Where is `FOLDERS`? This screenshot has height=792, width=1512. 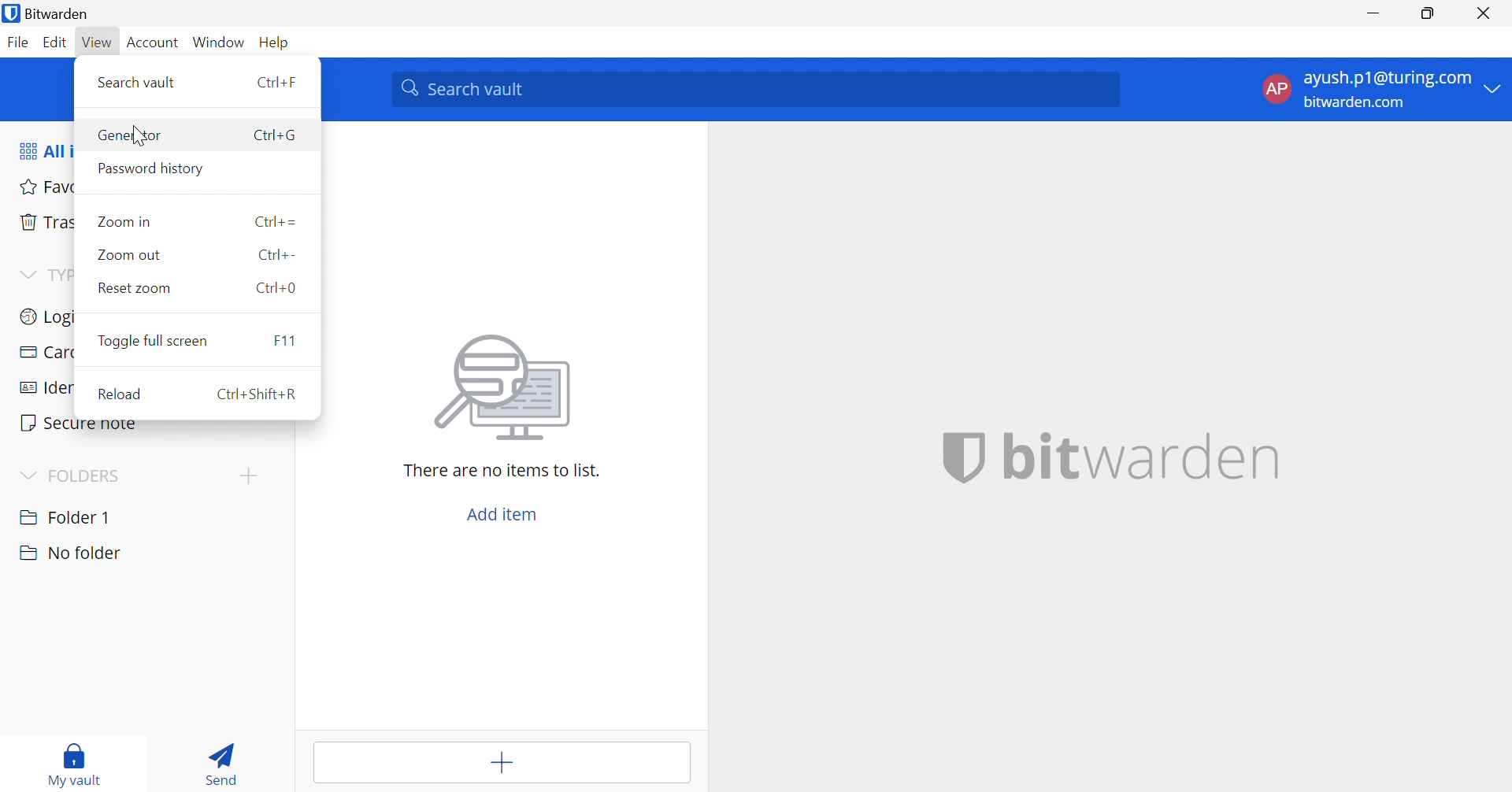
FOLDERS is located at coordinates (87, 473).